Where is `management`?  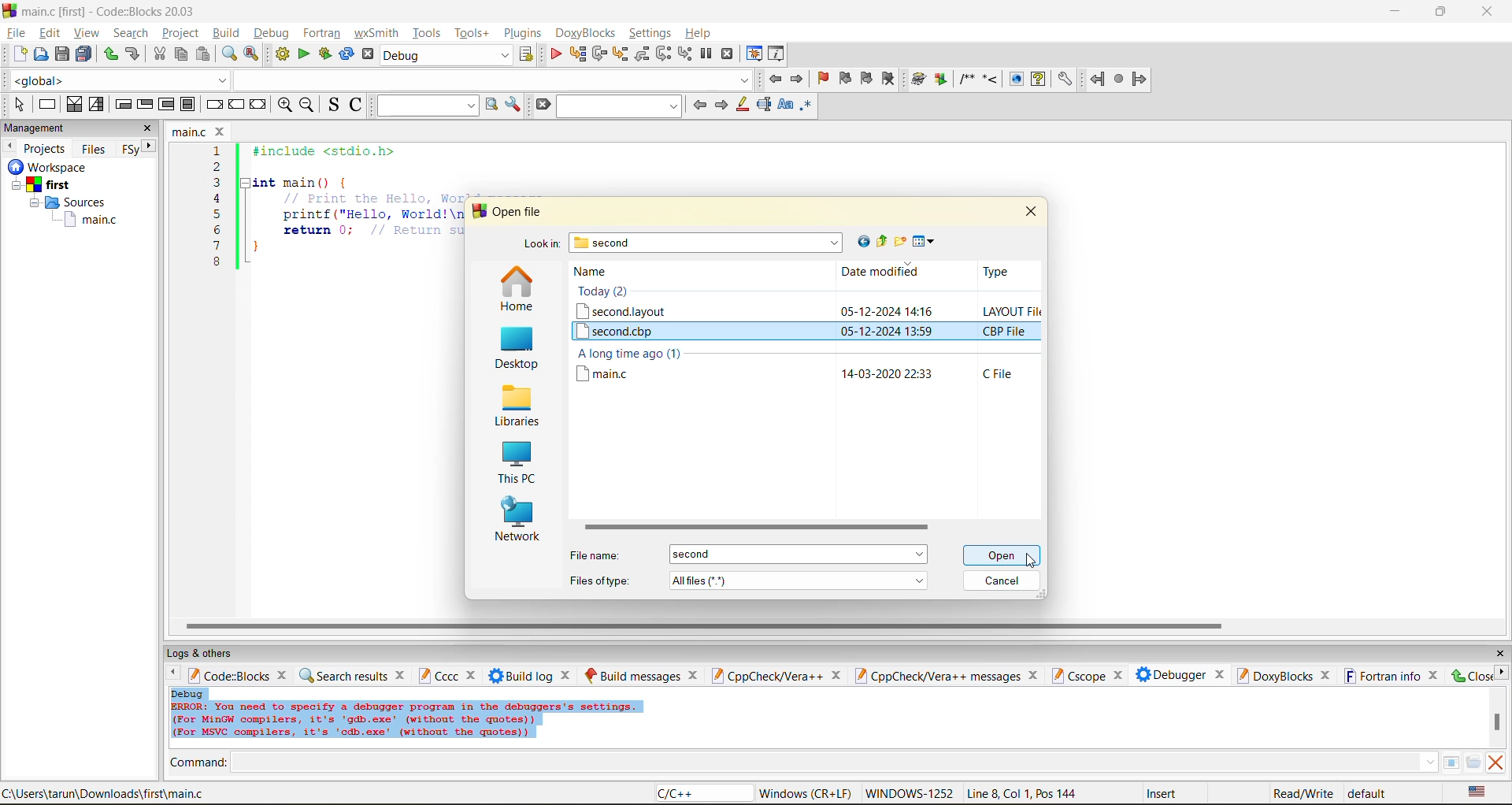
management is located at coordinates (37, 129).